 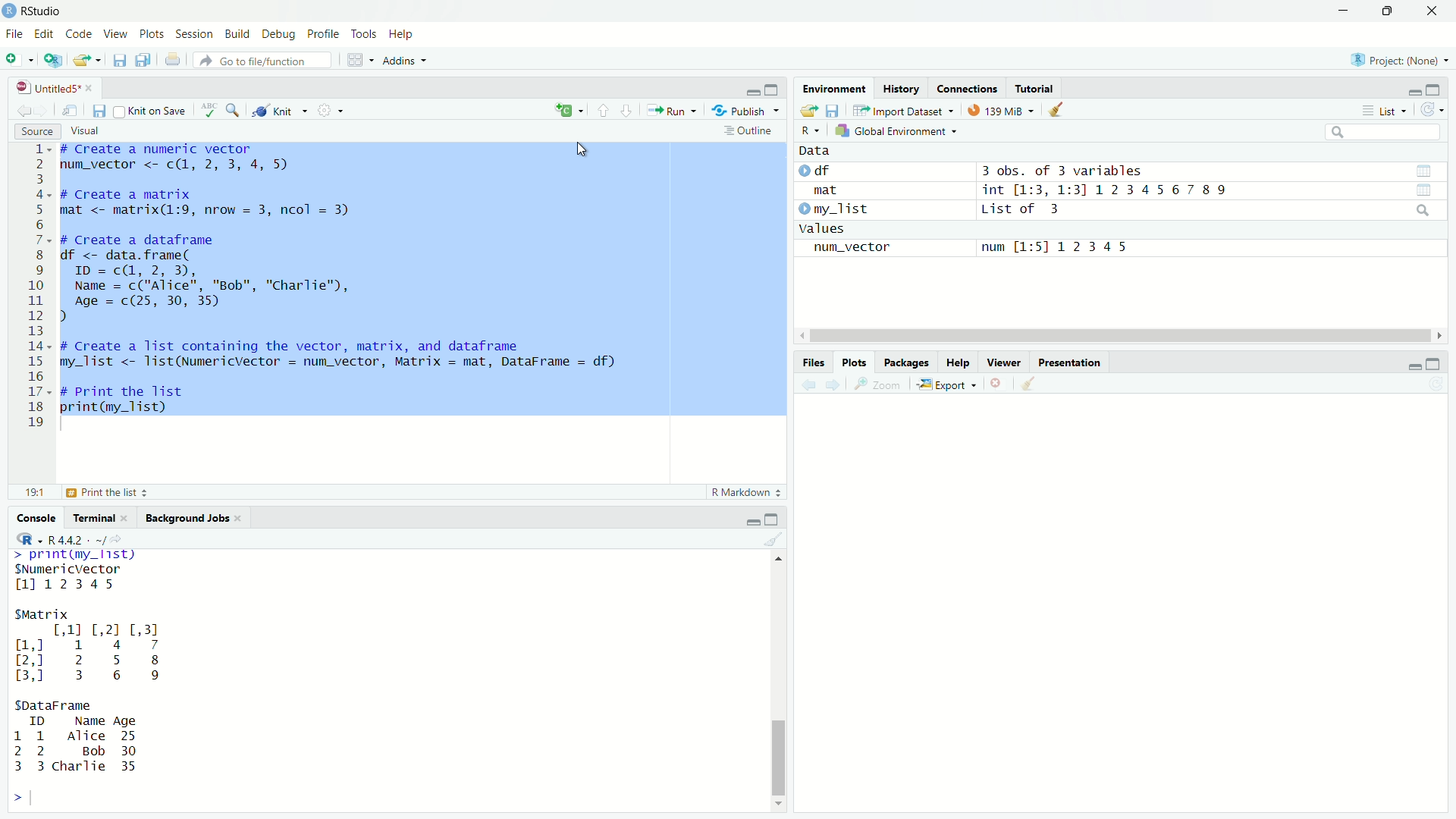 What do you see at coordinates (750, 494) in the screenshot?
I see `R Markdown +` at bounding box center [750, 494].